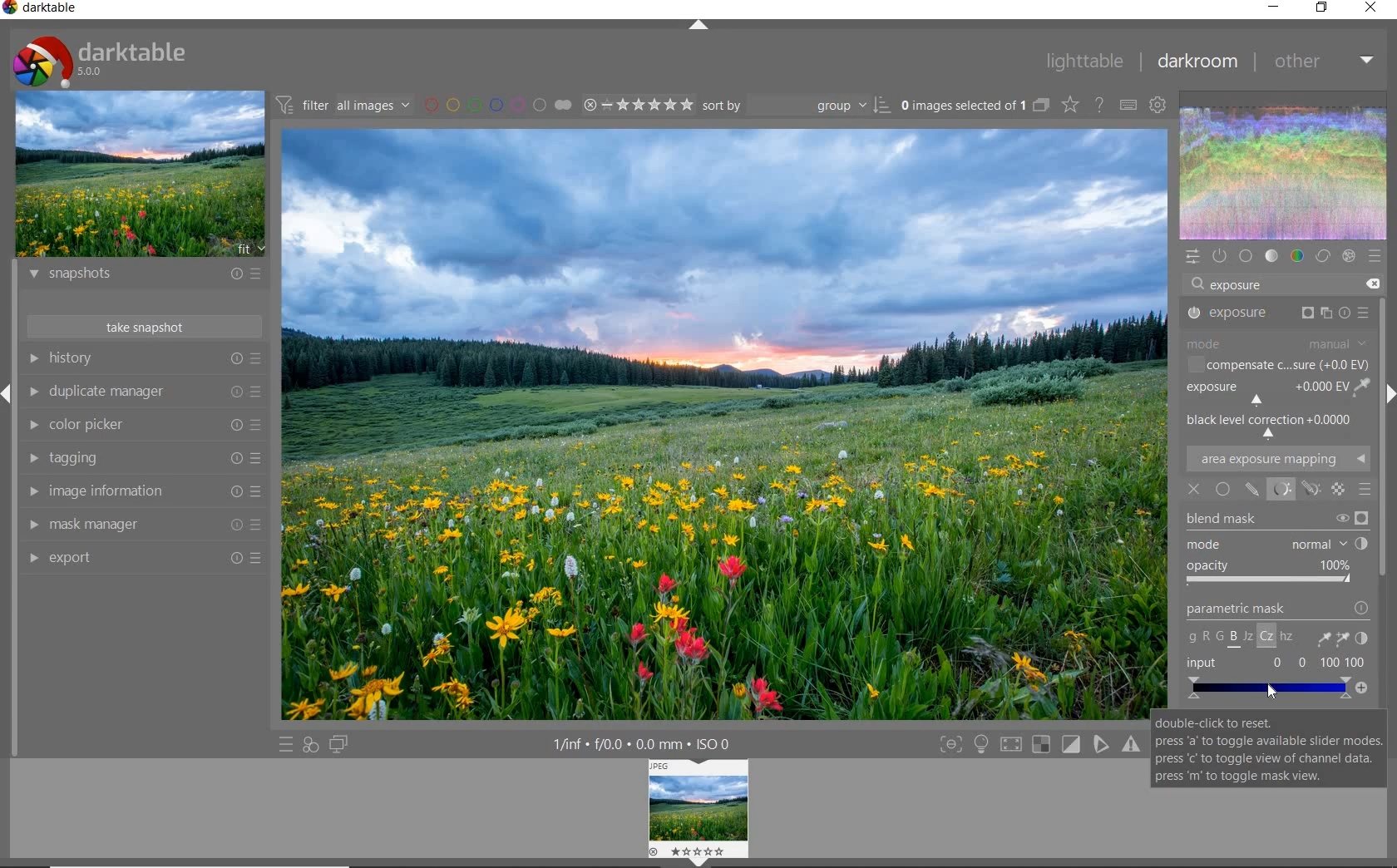  I want to click on snapshots, so click(146, 277).